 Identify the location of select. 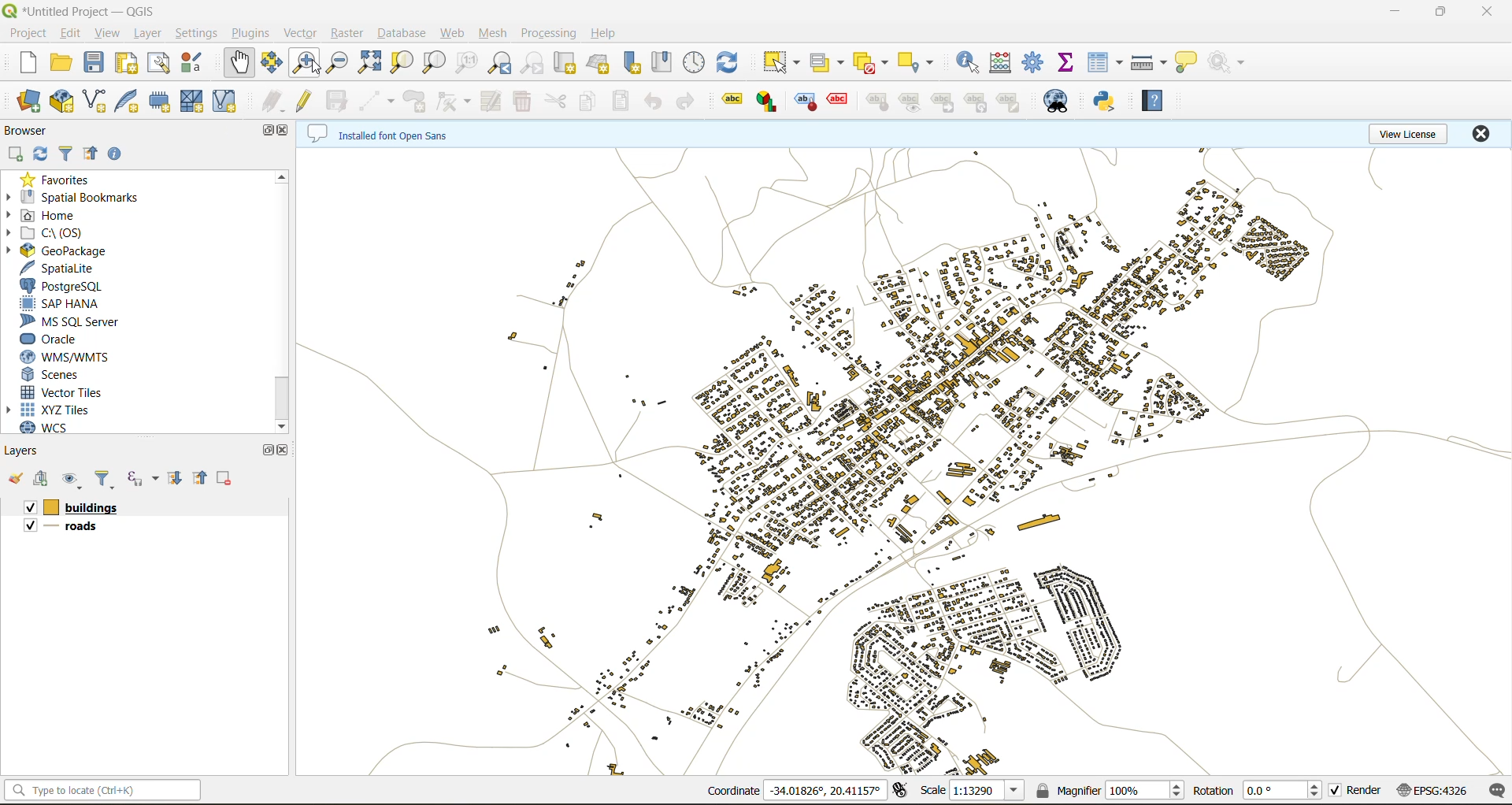
(780, 63).